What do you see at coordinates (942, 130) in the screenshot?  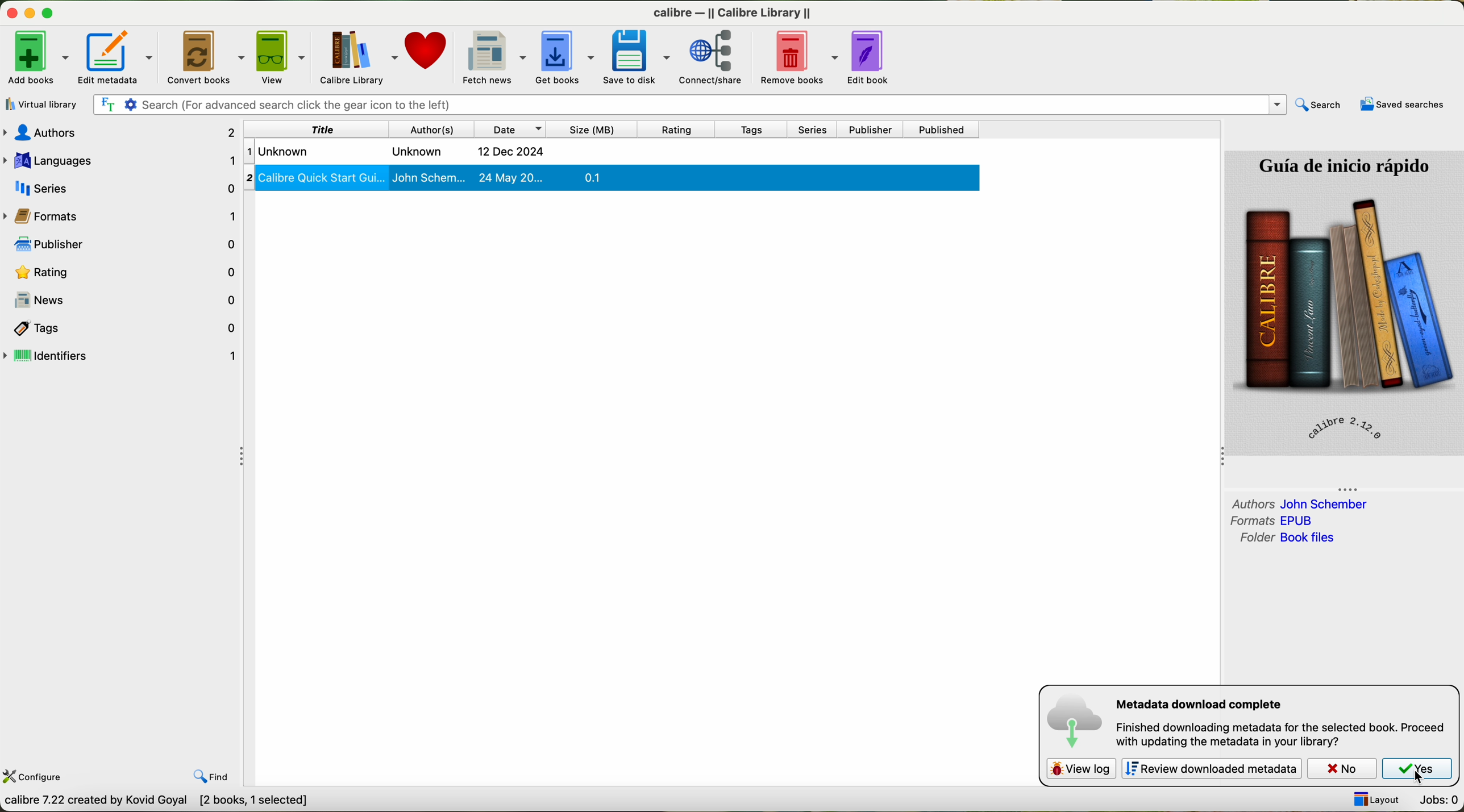 I see `published` at bounding box center [942, 130].